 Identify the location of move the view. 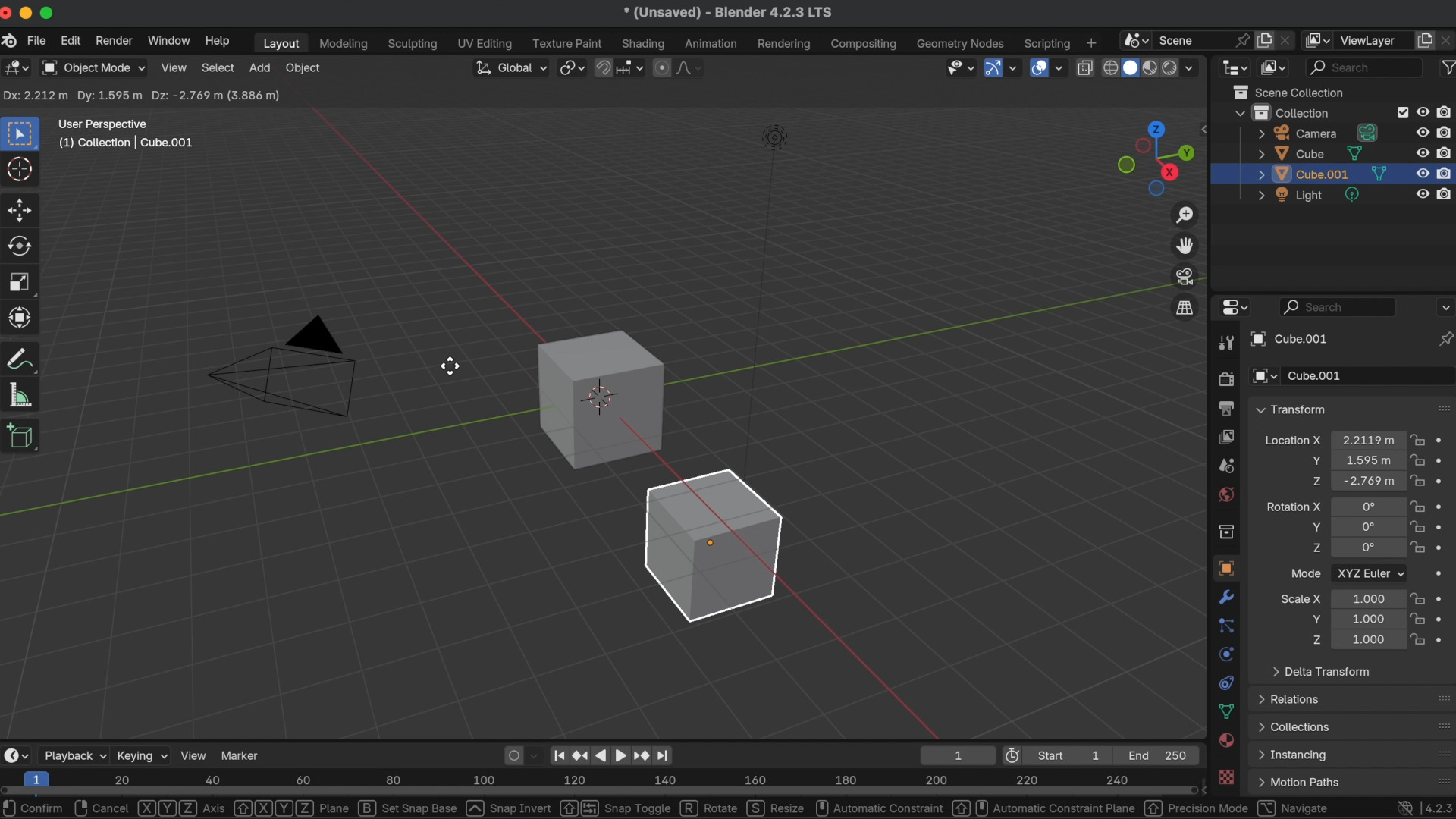
(1186, 245).